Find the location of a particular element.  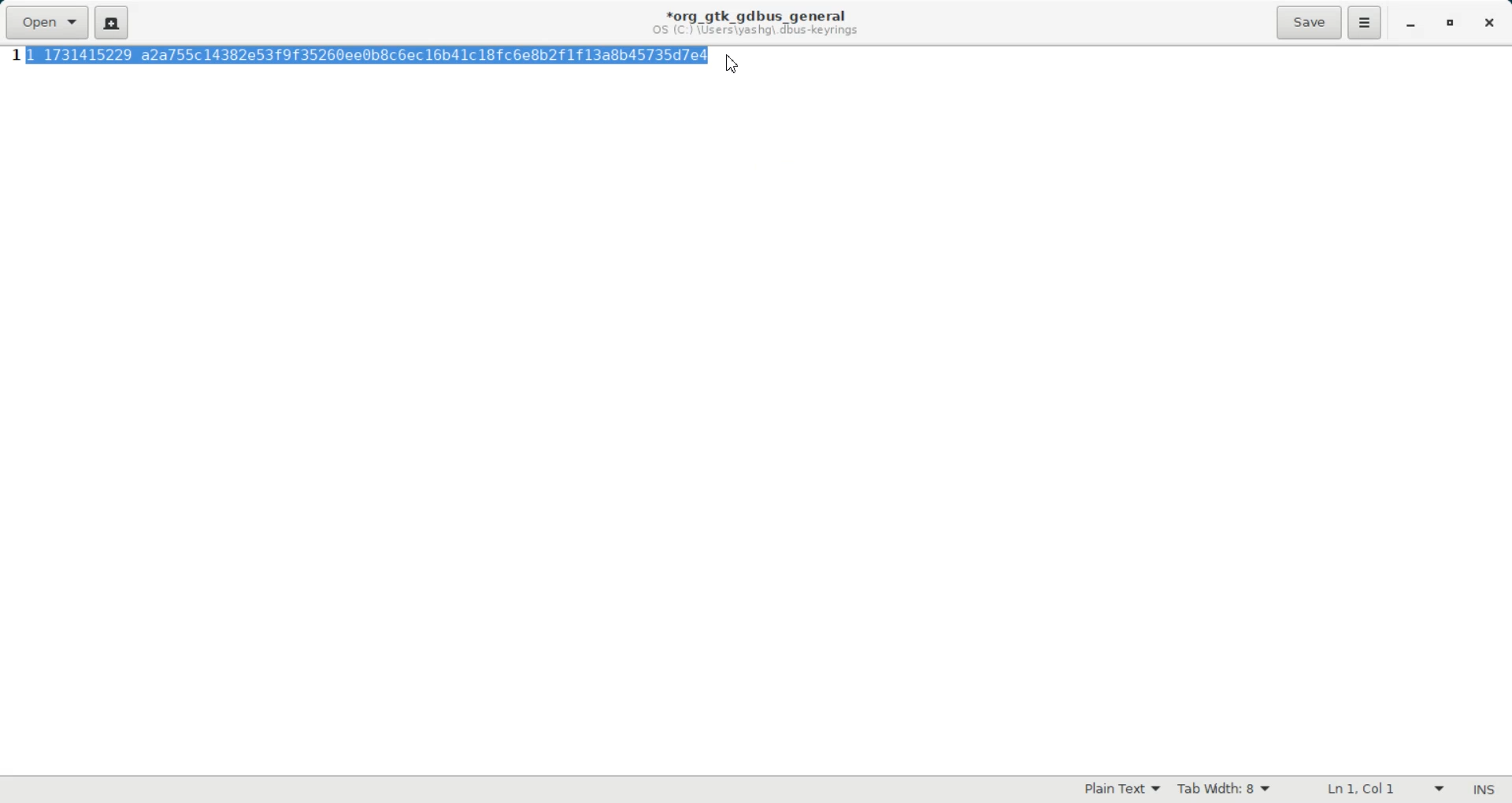

Cursor is located at coordinates (735, 64).